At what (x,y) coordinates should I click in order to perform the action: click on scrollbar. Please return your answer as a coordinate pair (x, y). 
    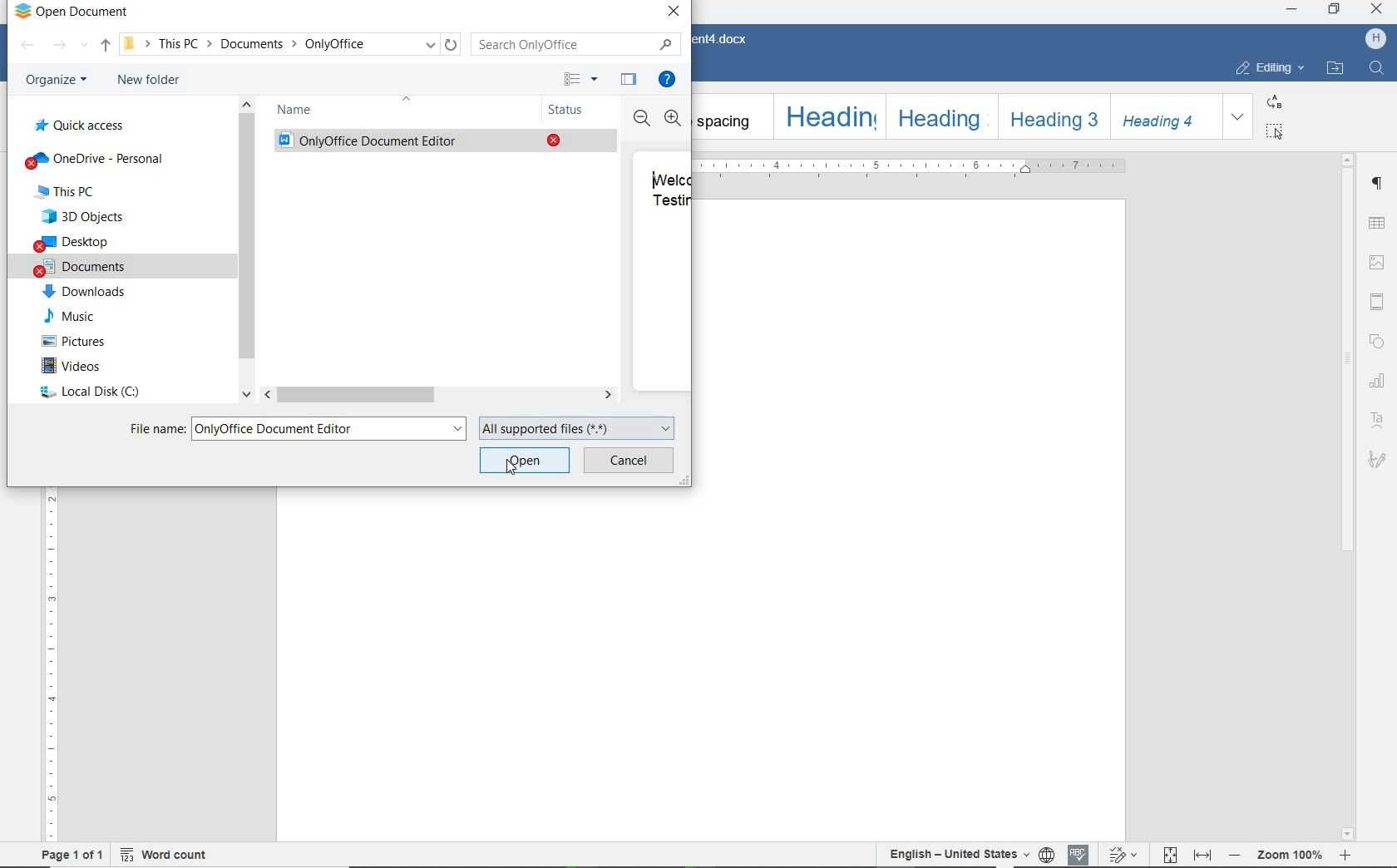
    Looking at the image, I should click on (246, 248).